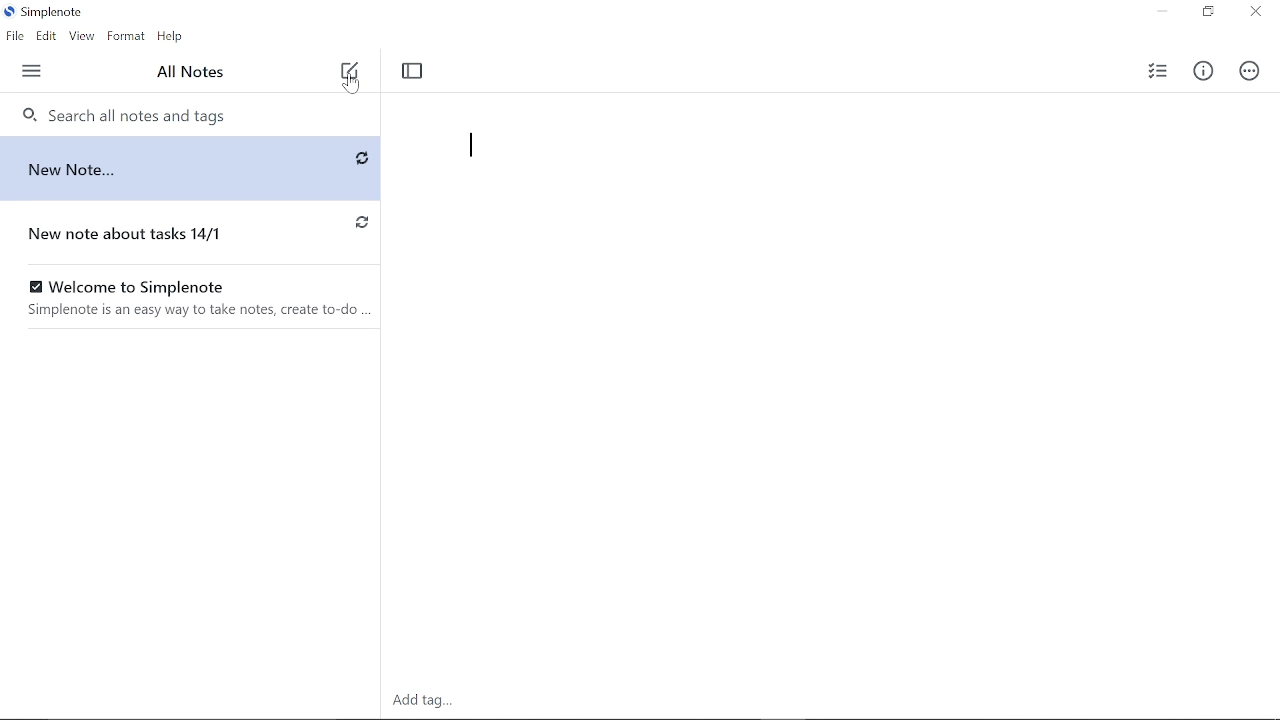  I want to click on Insert checklist, so click(1154, 71).